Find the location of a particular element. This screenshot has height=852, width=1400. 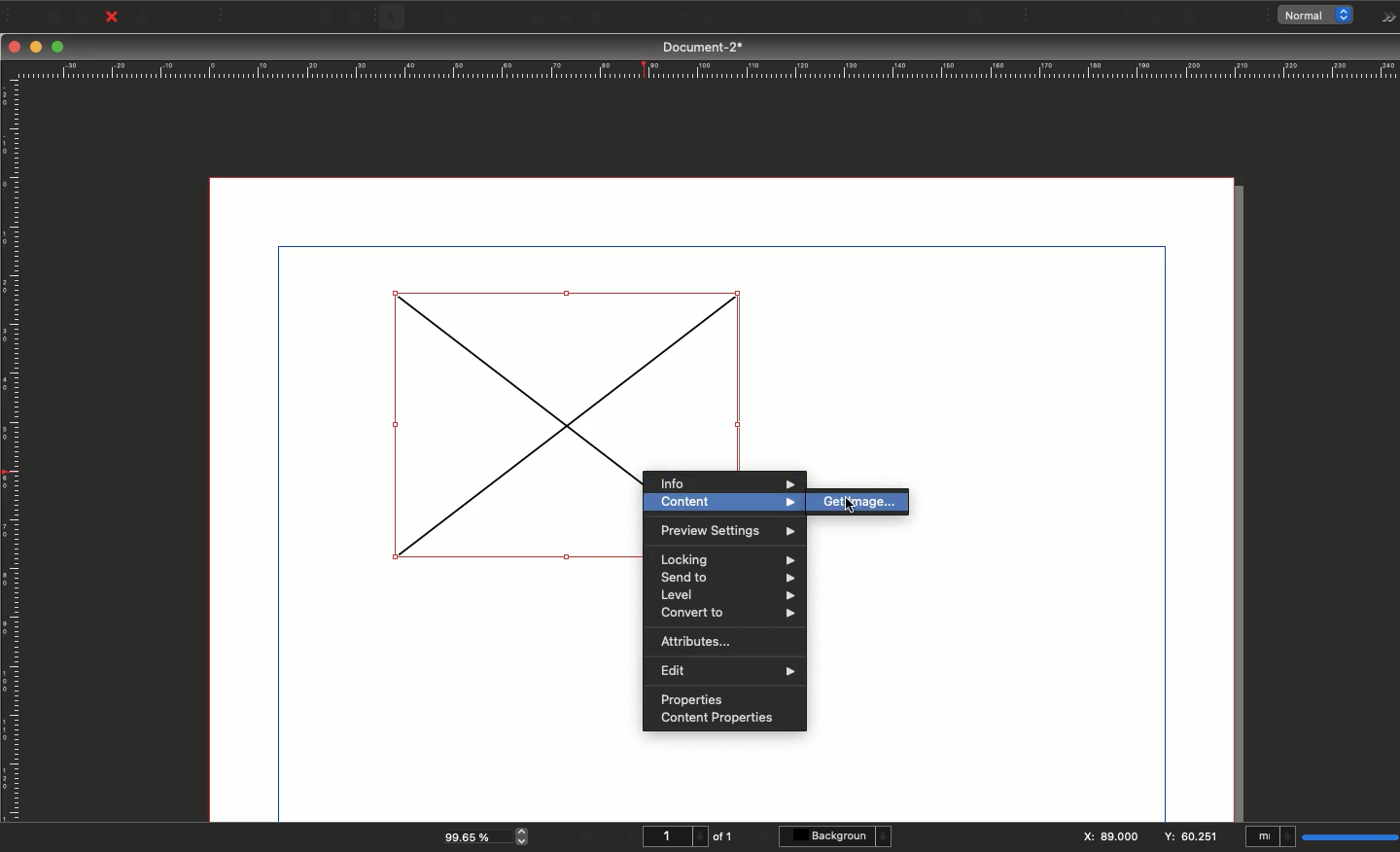

Save is located at coordinates (87, 16).